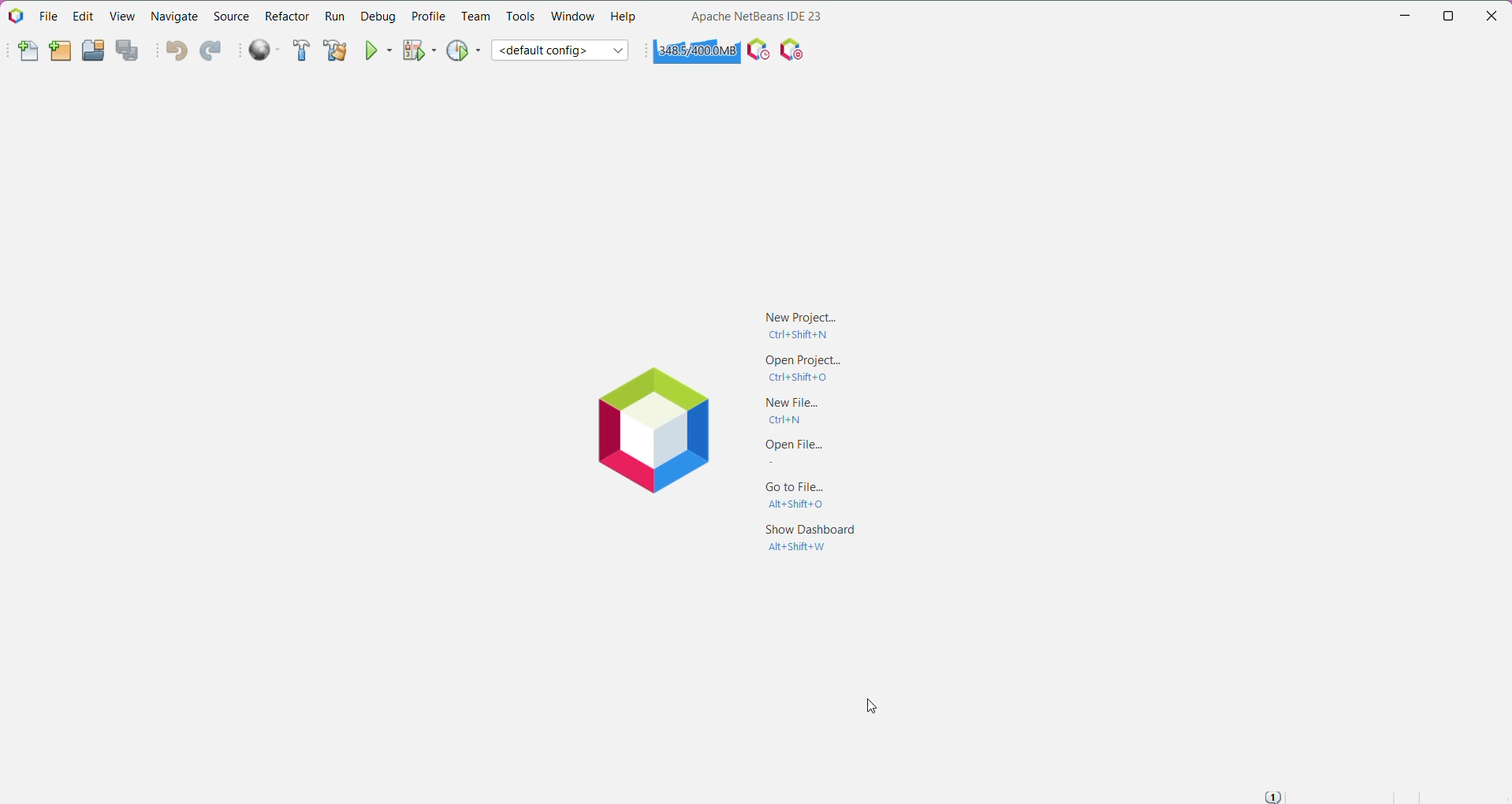 Image resolution: width=1512 pixels, height=804 pixels. Describe the element at coordinates (794, 49) in the screenshot. I see `I/O Checks` at that location.